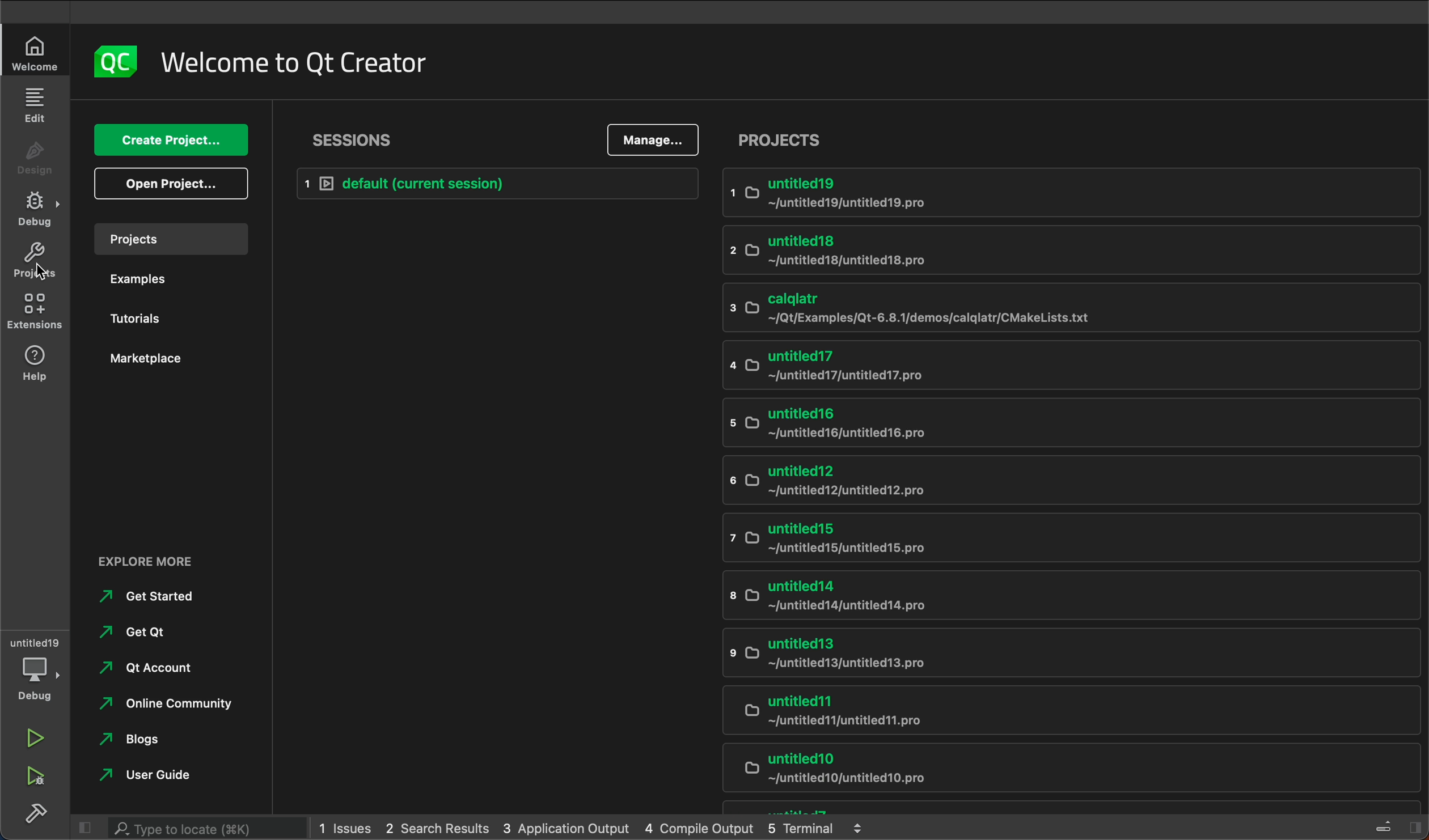 This screenshot has height=840, width=1429. I want to click on projects, so click(1072, 138).